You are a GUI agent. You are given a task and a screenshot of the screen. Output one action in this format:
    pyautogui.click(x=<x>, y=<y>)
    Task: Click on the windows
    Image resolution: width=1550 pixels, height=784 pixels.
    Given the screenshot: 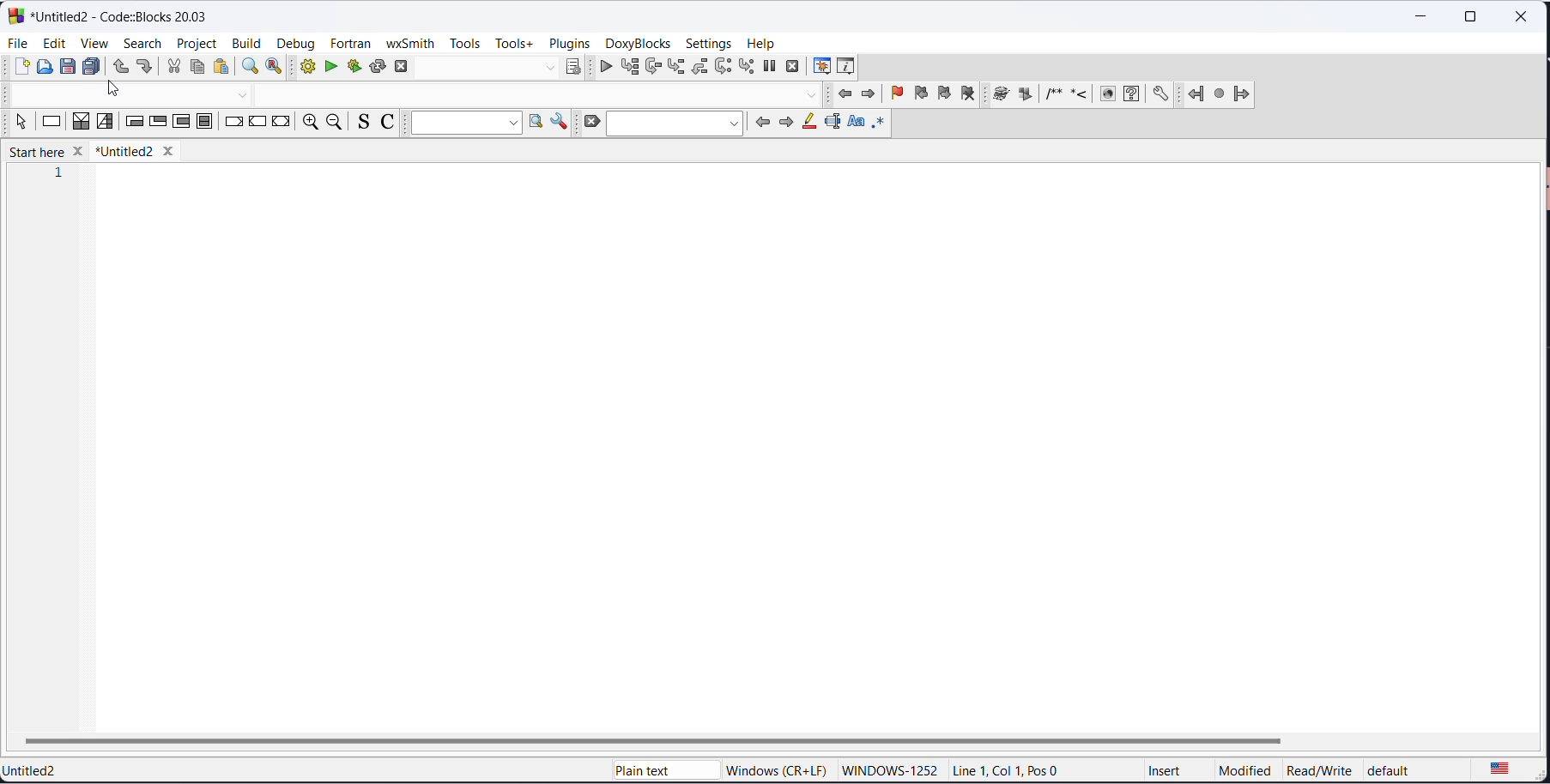 What is the action you would take?
    pyautogui.click(x=772, y=767)
    